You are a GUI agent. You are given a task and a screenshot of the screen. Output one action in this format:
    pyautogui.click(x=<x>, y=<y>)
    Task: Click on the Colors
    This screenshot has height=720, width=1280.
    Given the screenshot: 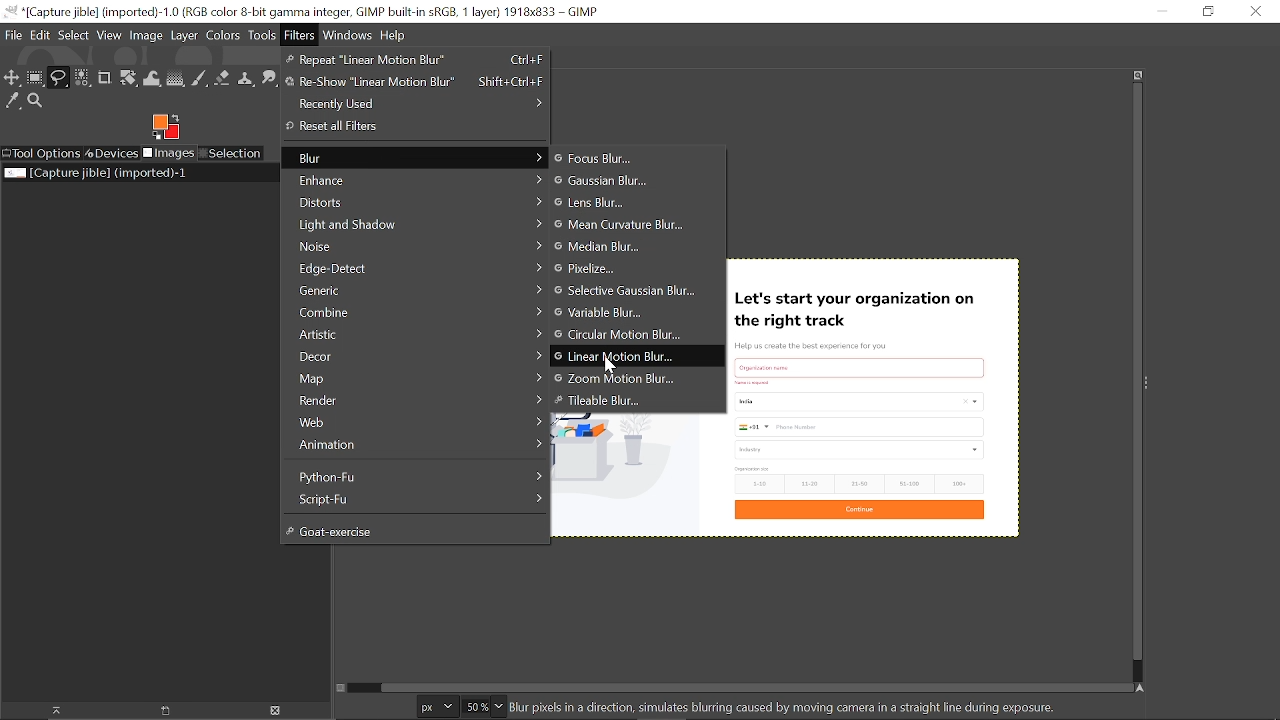 What is the action you would take?
    pyautogui.click(x=222, y=37)
    